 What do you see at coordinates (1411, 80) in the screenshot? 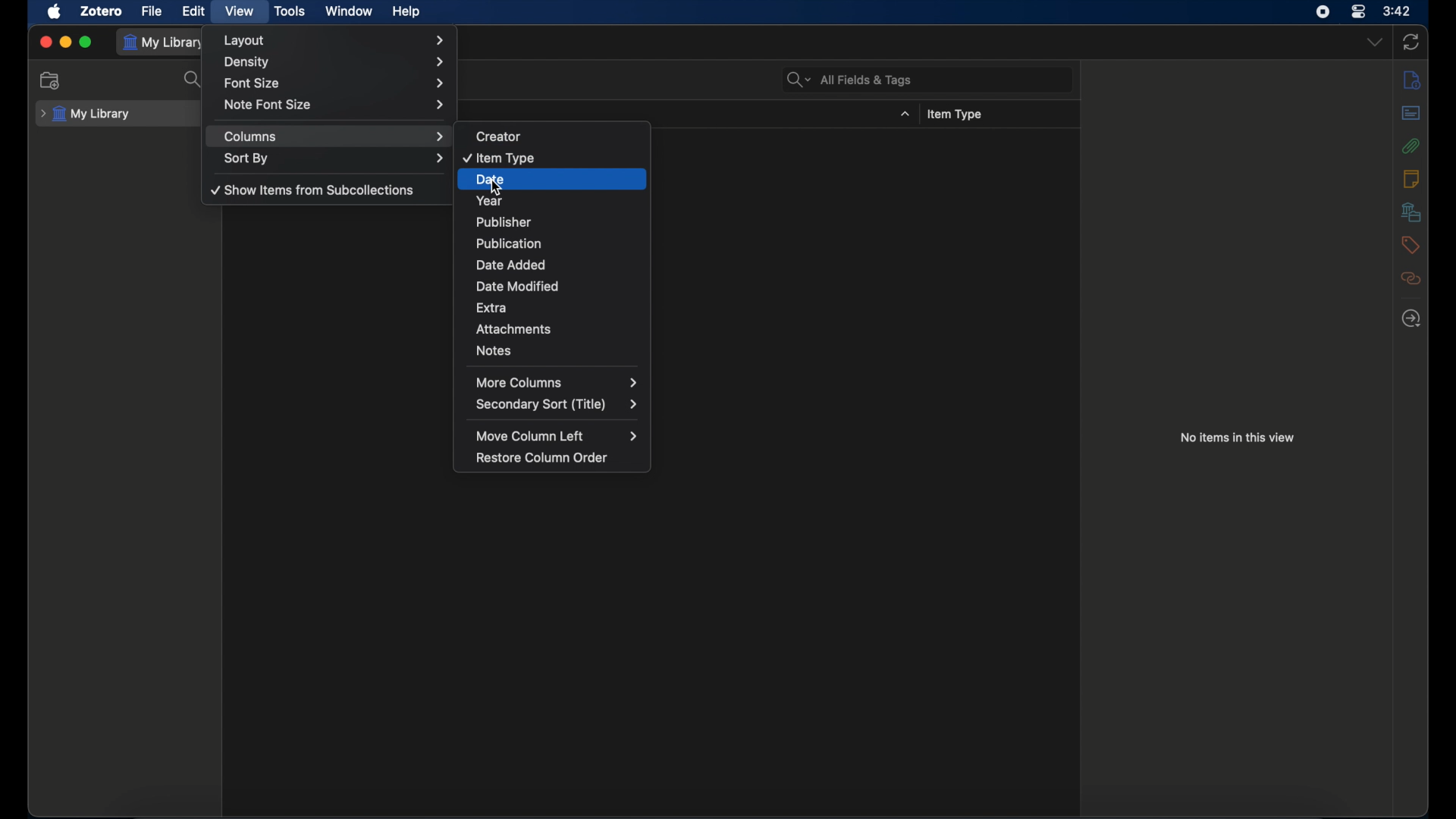
I see `info` at bounding box center [1411, 80].